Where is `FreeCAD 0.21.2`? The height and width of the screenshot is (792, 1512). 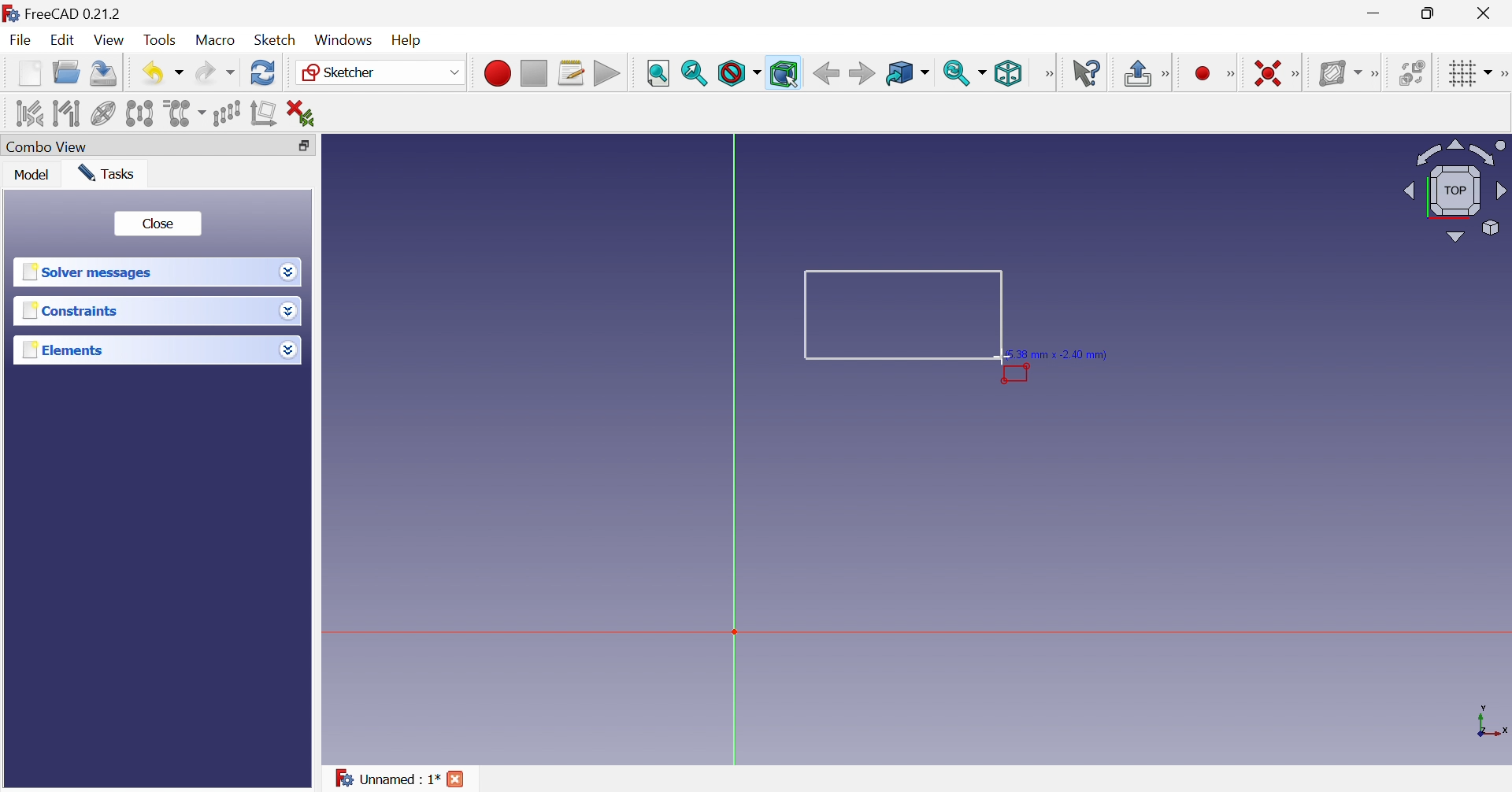
FreeCAD 0.21.2 is located at coordinates (74, 13).